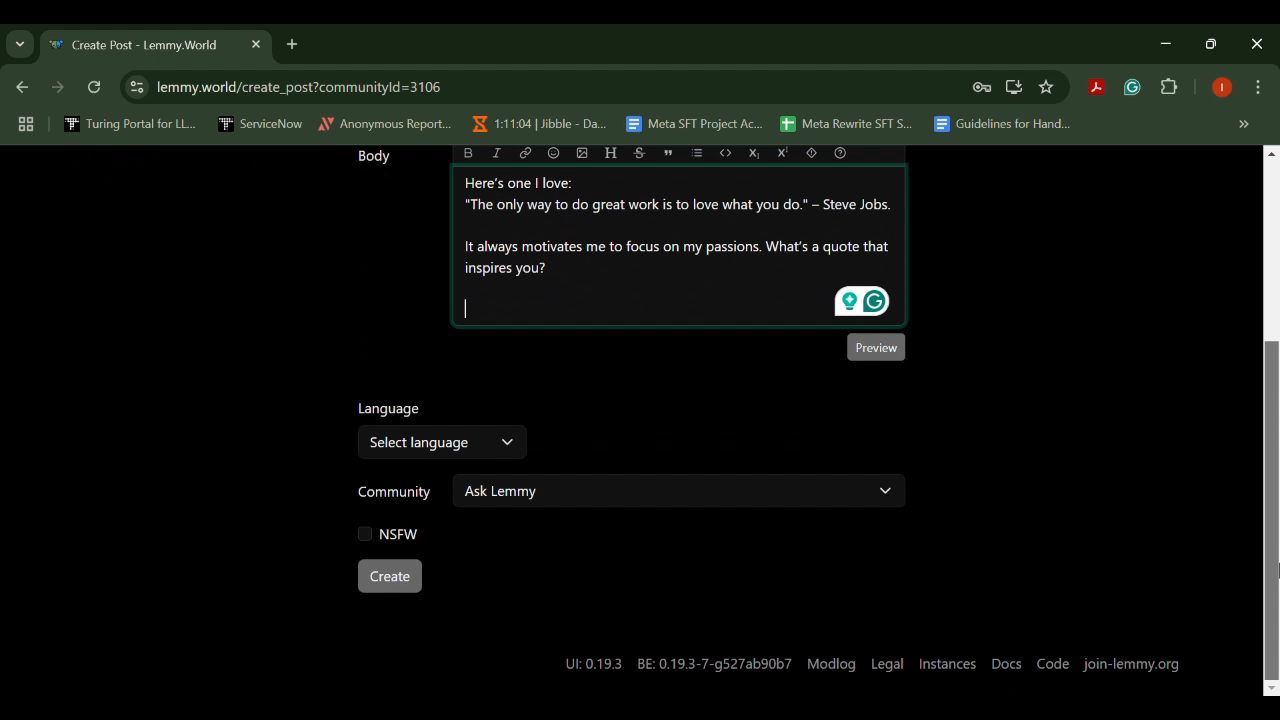 The height and width of the screenshot is (720, 1280). Describe the element at coordinates (847, 125) in the screenshot. I see `Meta Rewrite SFT S...` at that location.